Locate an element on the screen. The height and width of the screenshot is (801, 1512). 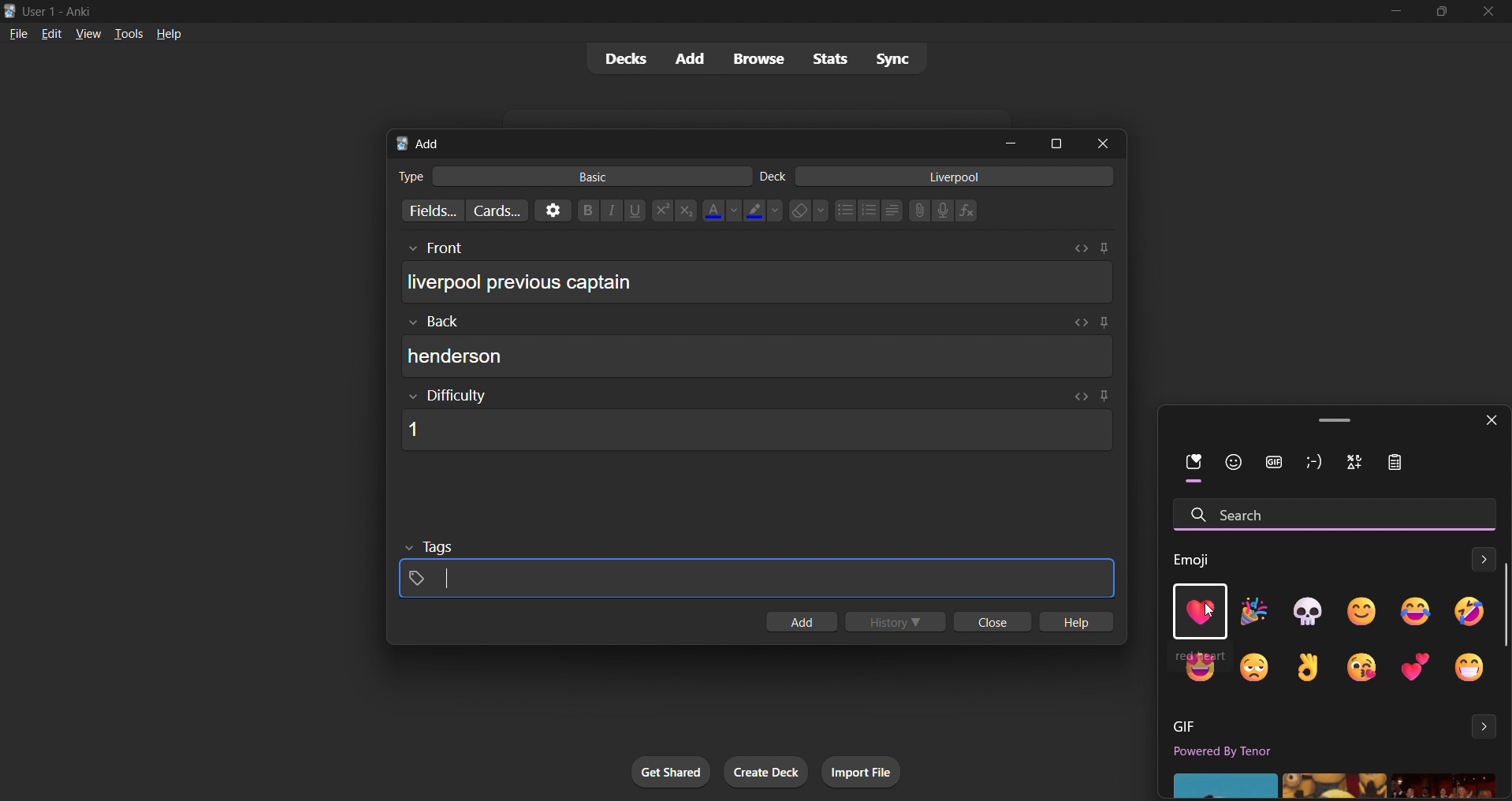
close is located at coordinates (989, 623).